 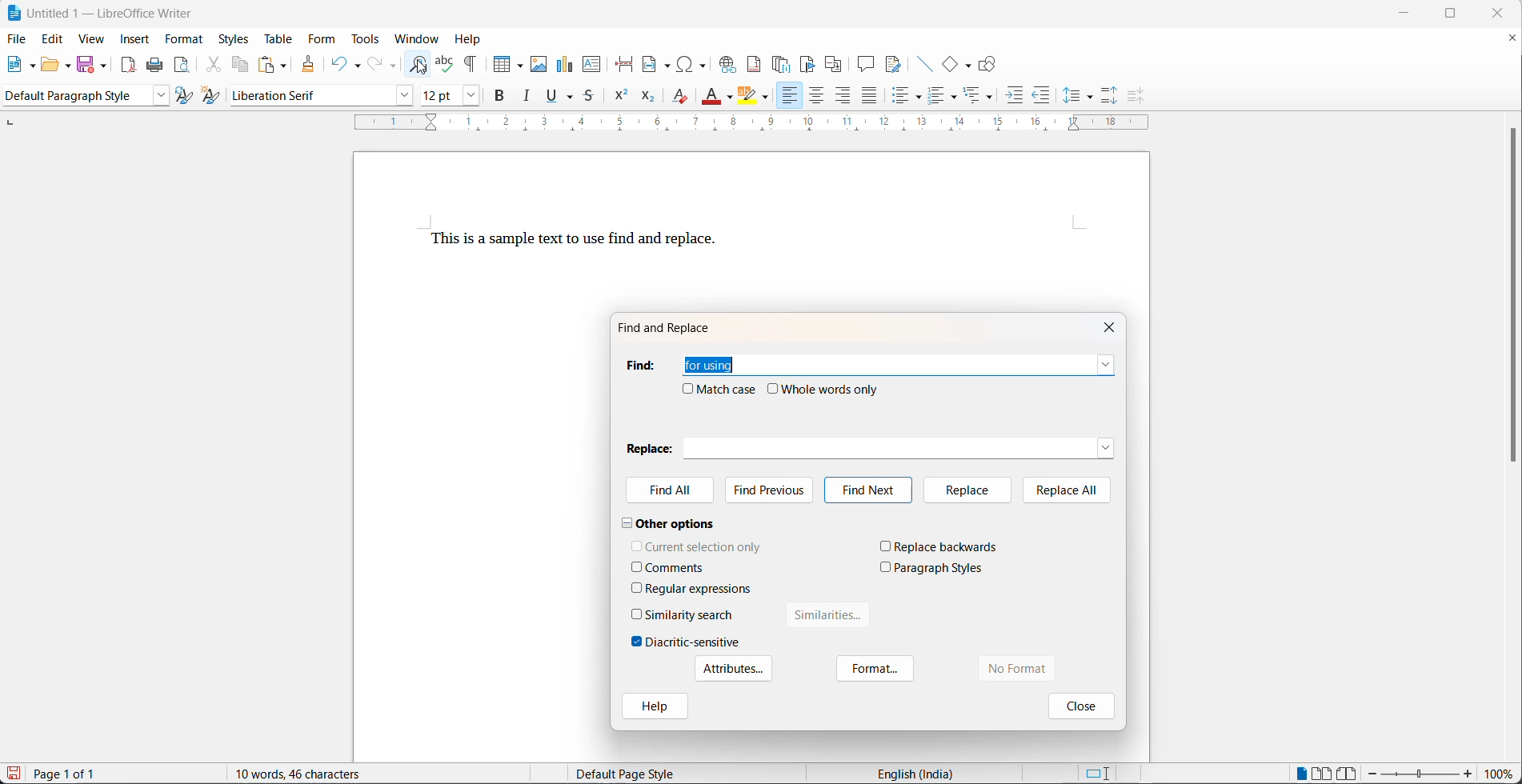 What do you see at coordinates (637, 642) in the screenshot?
I see `checkbox` at bounding box center [637, 642].